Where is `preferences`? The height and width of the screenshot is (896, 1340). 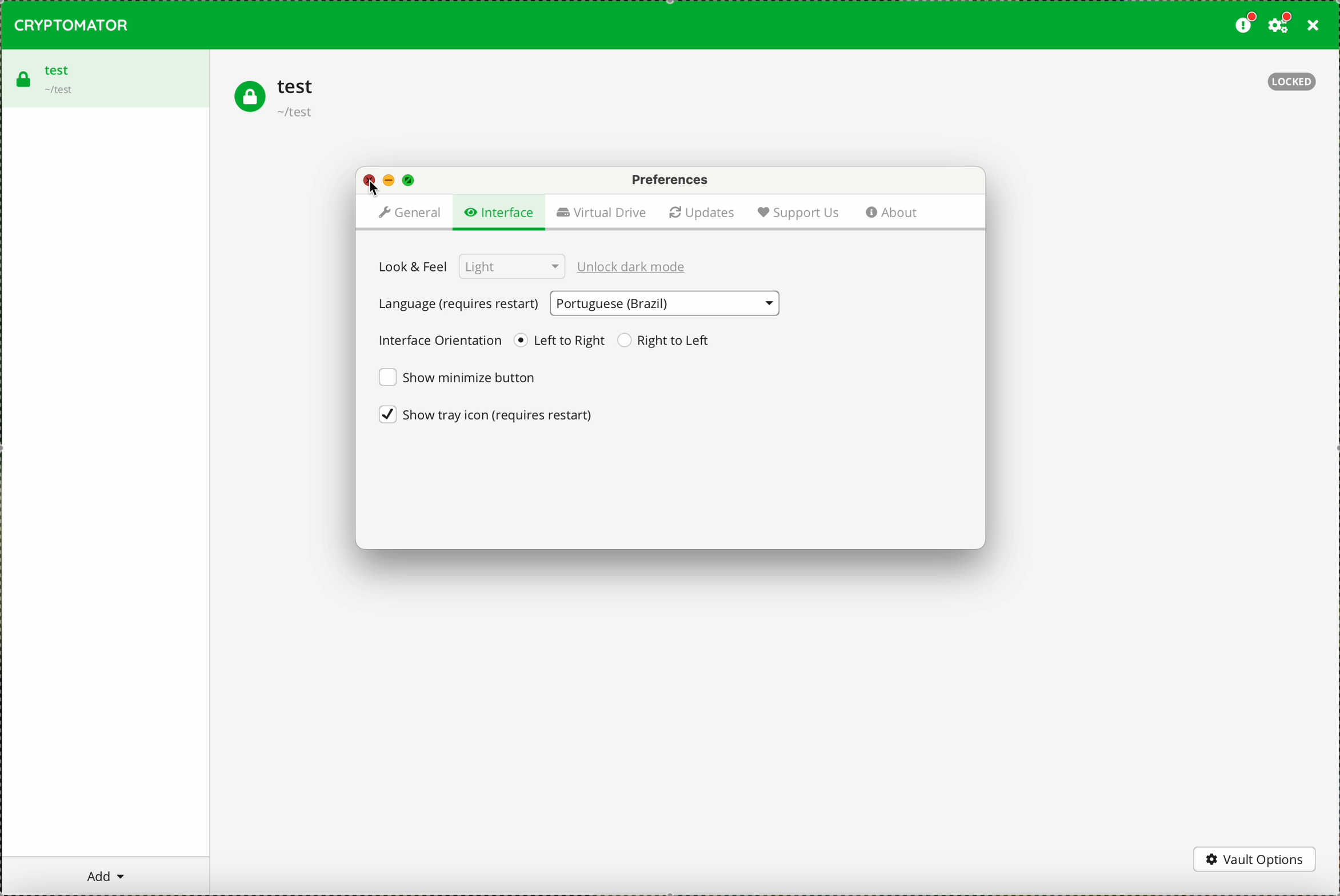
preferences is located at coordinates (669, 179).